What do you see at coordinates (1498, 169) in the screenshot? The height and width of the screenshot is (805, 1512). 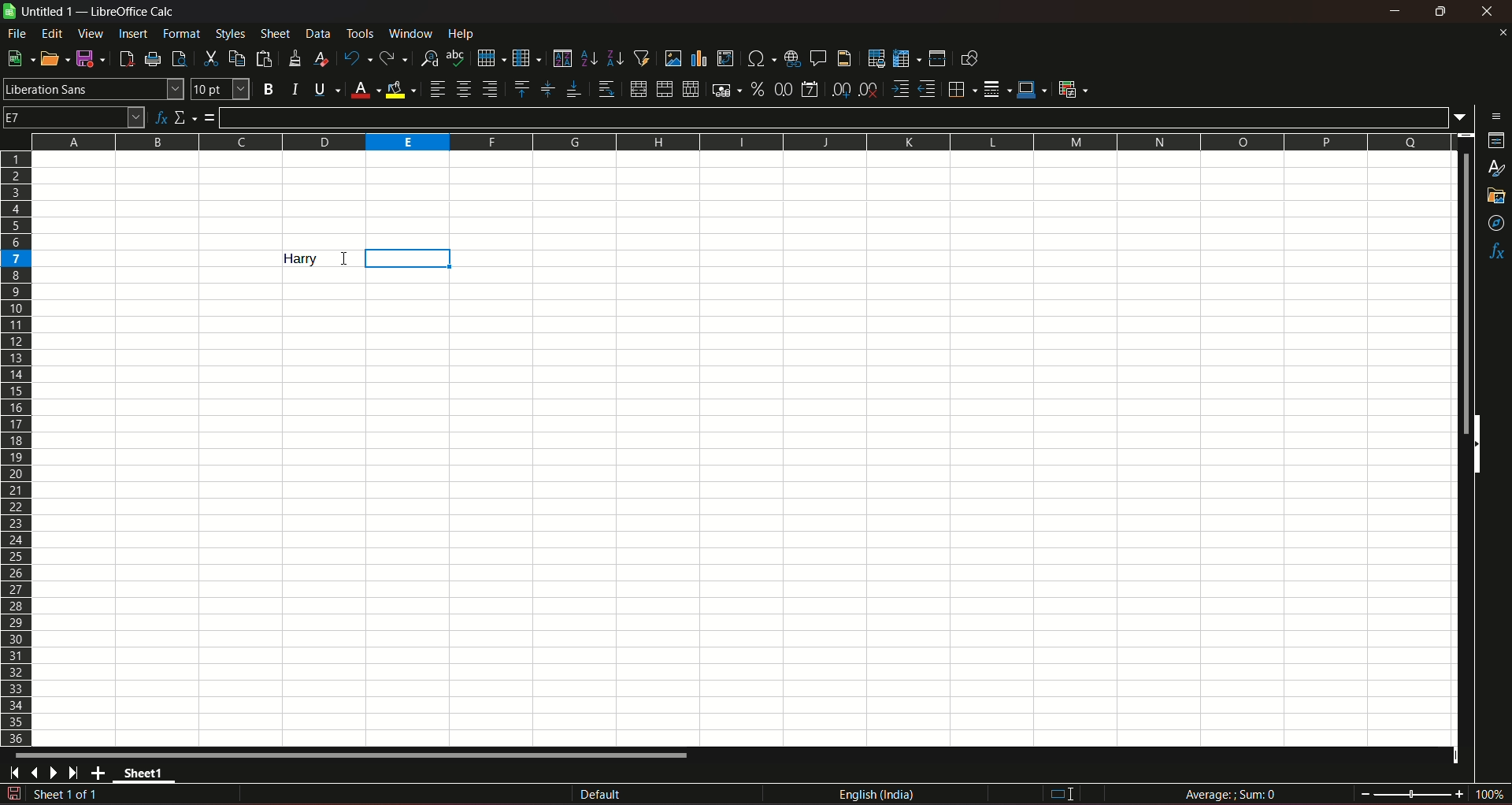 I see `styles` at bounding box center [1498, 169].